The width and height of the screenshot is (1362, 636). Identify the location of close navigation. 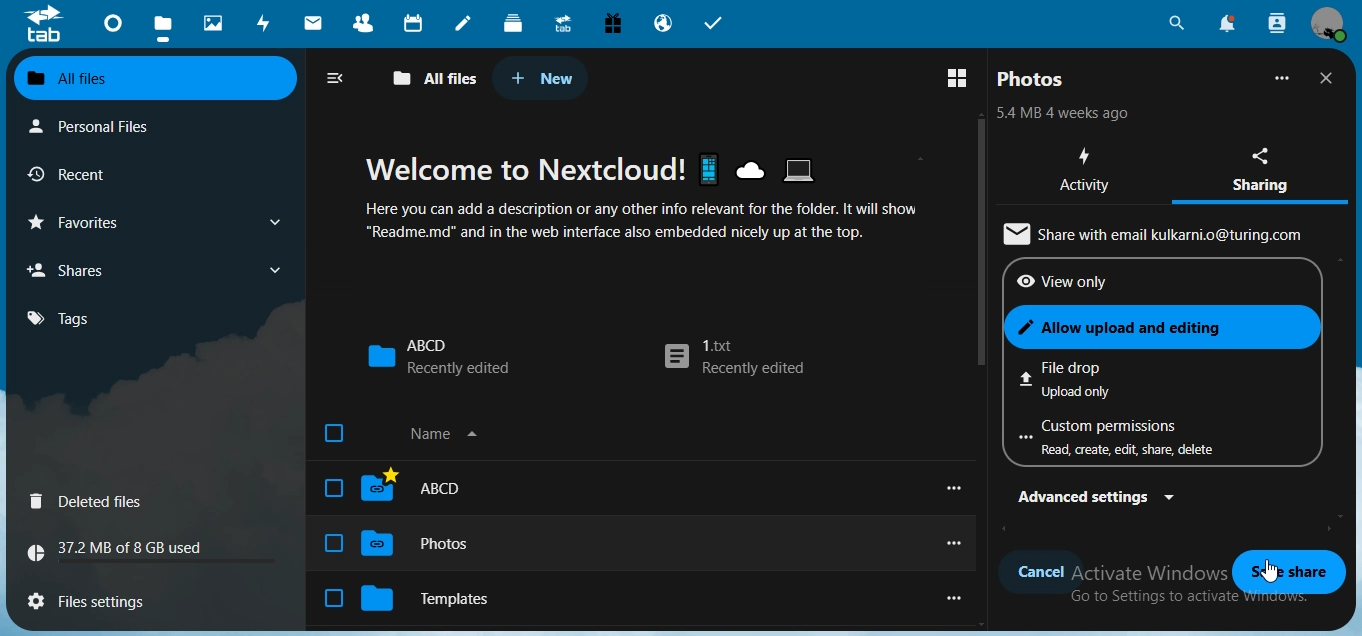
(340, 78).